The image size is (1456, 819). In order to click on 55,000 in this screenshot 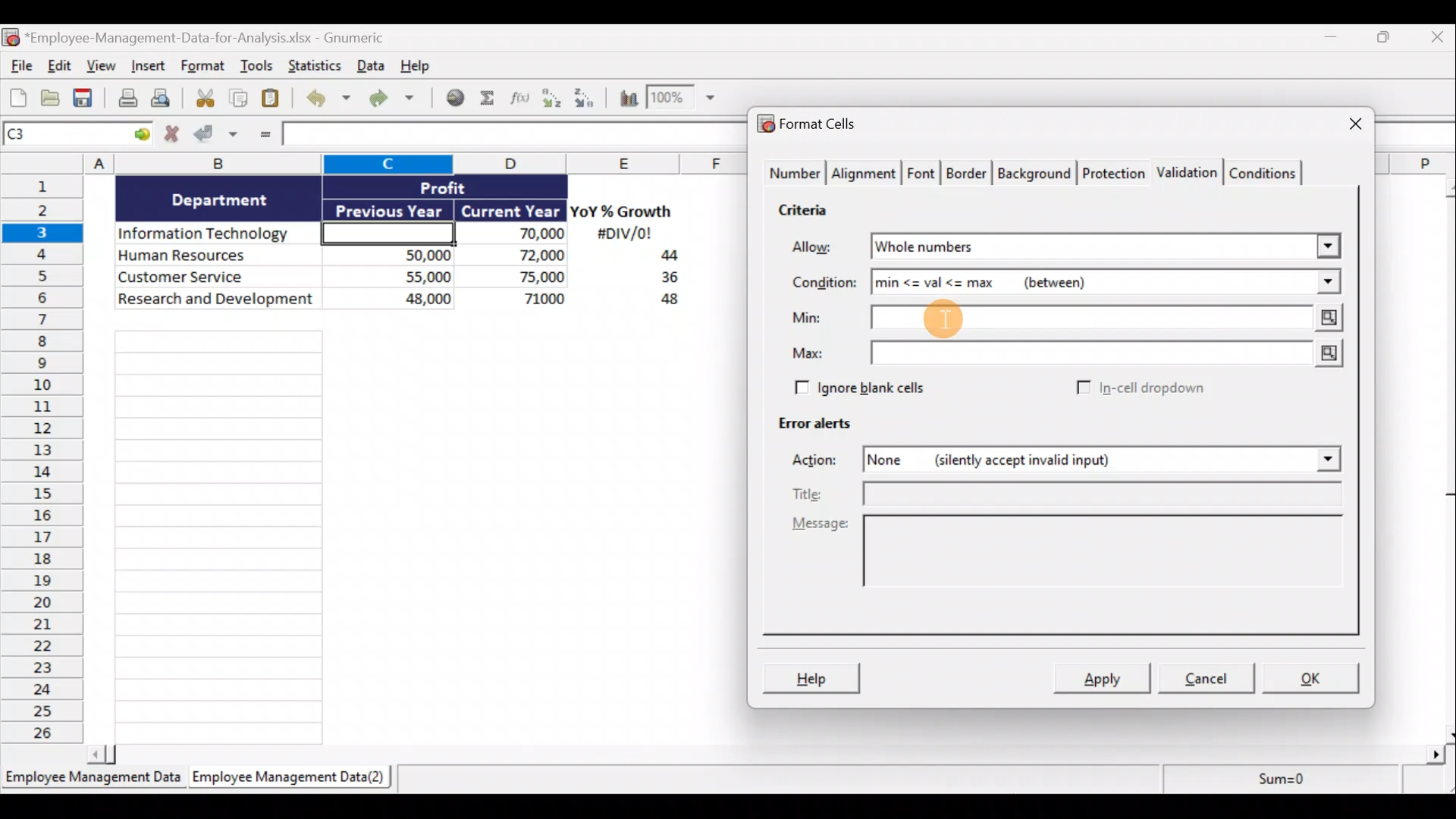, I will do `click(397, 276)`.